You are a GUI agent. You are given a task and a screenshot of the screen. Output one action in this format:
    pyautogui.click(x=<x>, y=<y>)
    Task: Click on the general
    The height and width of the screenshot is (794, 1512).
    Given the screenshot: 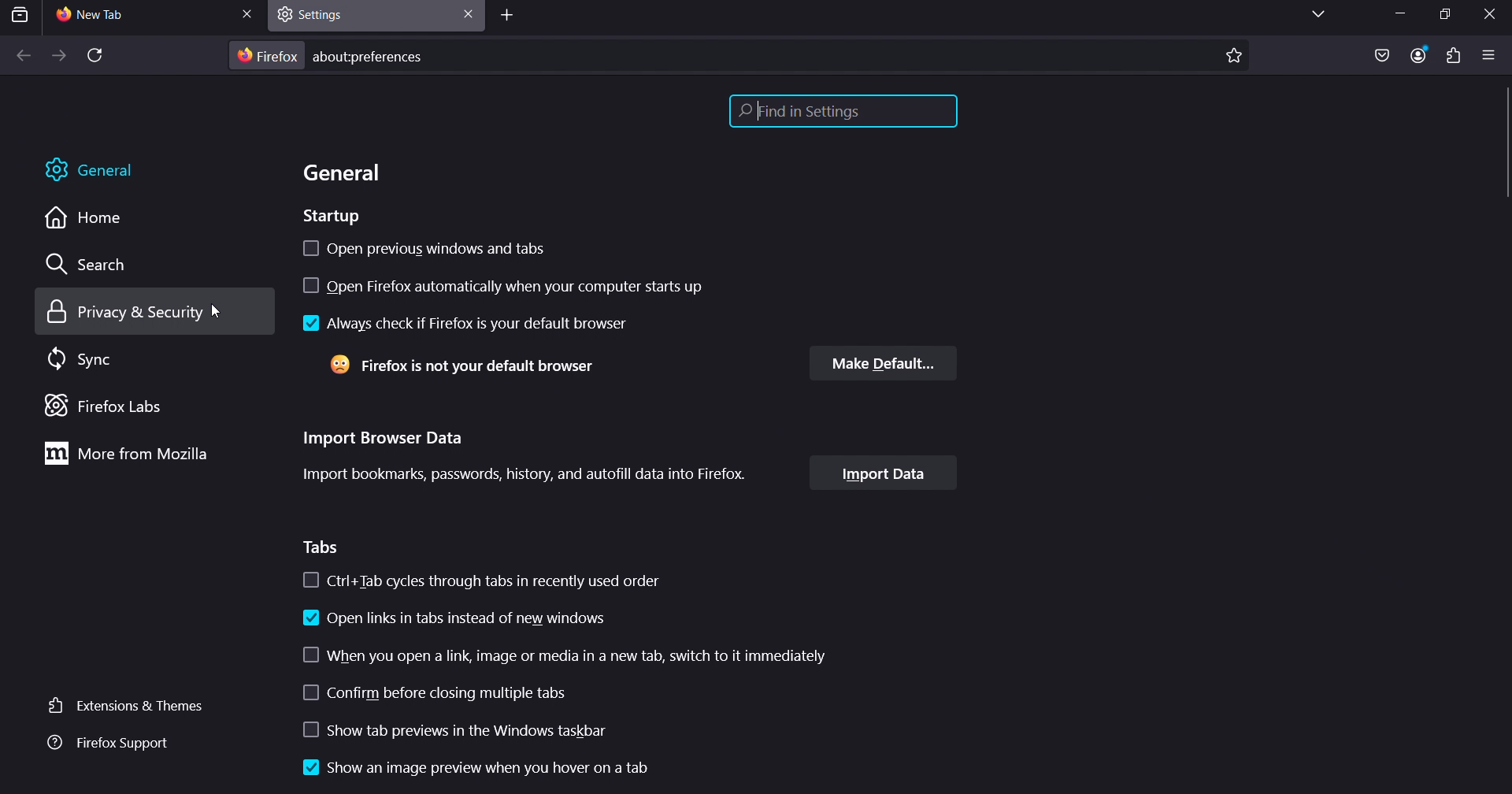 What is the action you would take?
    pyautogui.click(x=89, y=168)
    